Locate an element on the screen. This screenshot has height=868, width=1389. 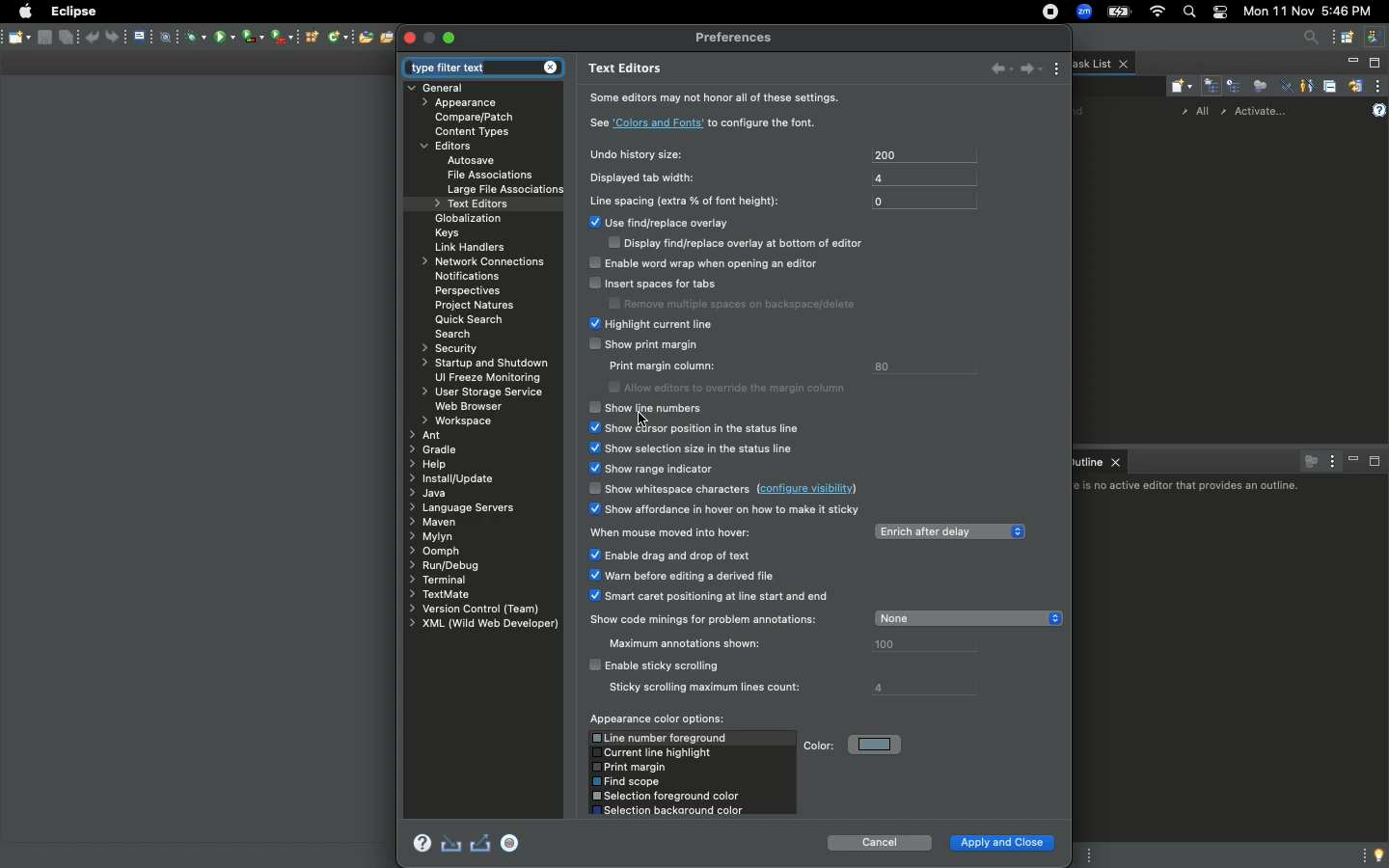
Show code minings for problem annotations is located at coordinates (707, 632).